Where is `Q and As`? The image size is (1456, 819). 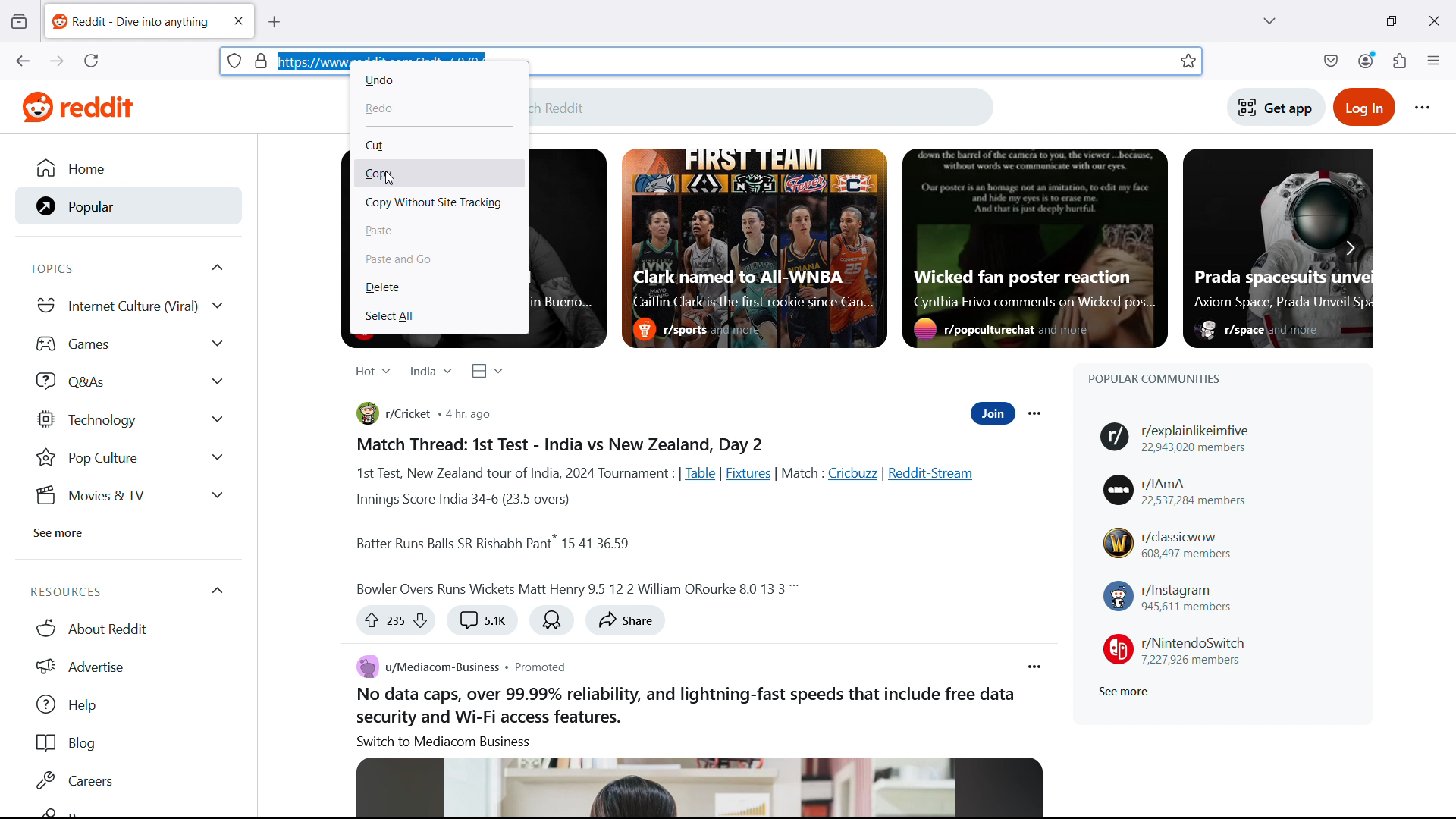
Q and As is located at coordinates (130, 379).